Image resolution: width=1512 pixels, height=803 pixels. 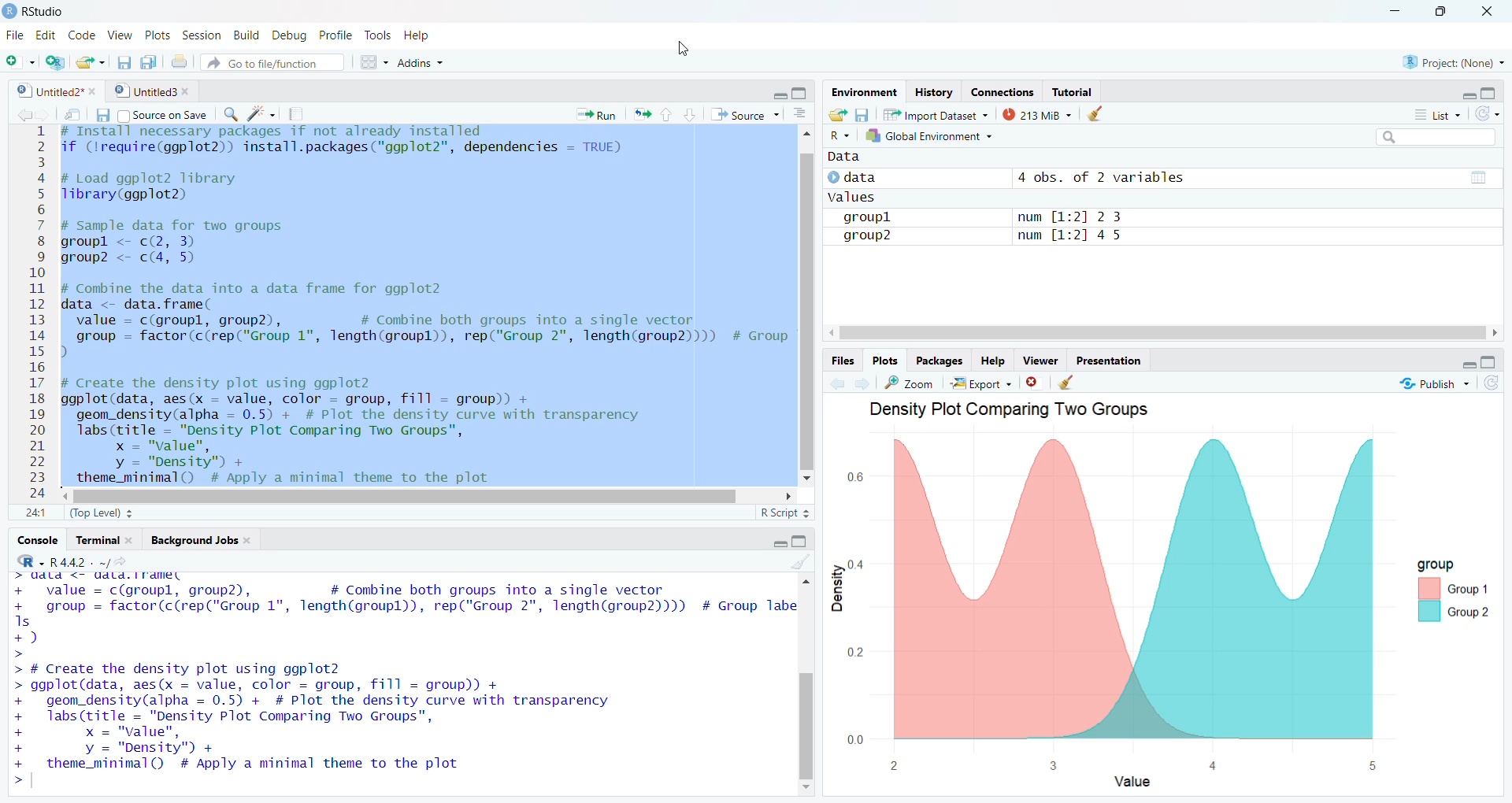 I want to click on minimize, so click(x=1451, y=361).